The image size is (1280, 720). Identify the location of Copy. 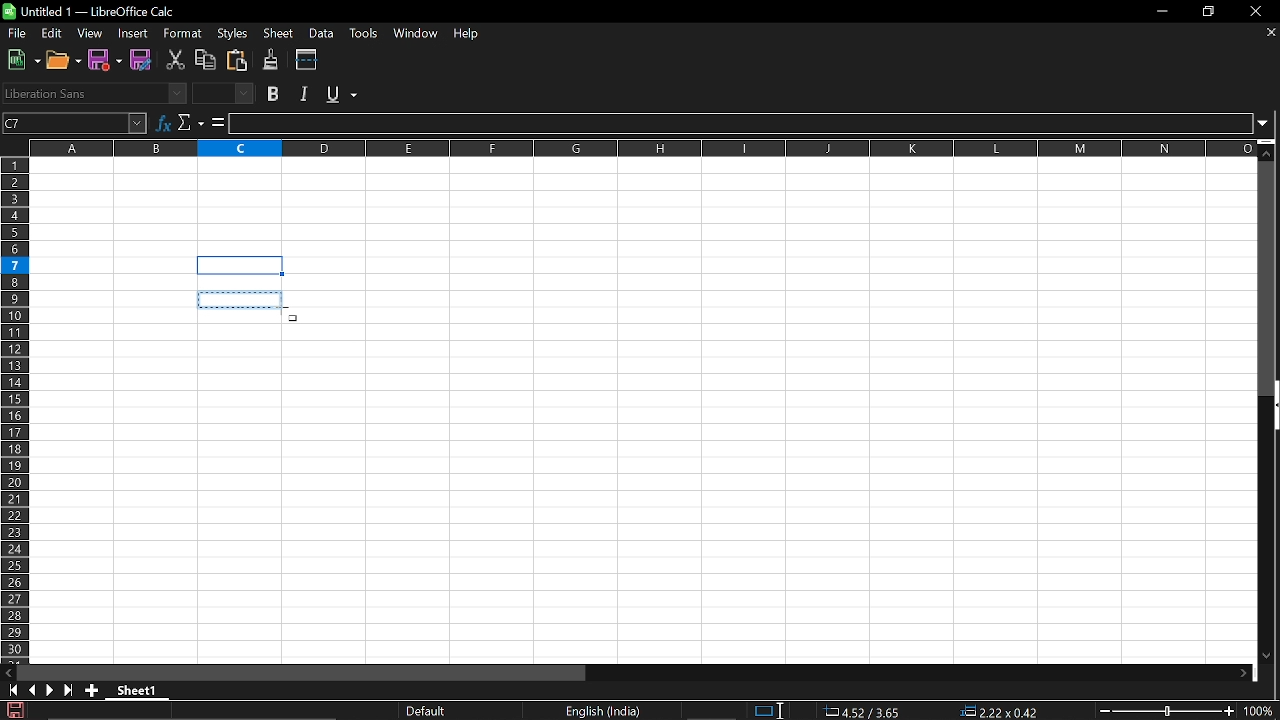
(205, 60).